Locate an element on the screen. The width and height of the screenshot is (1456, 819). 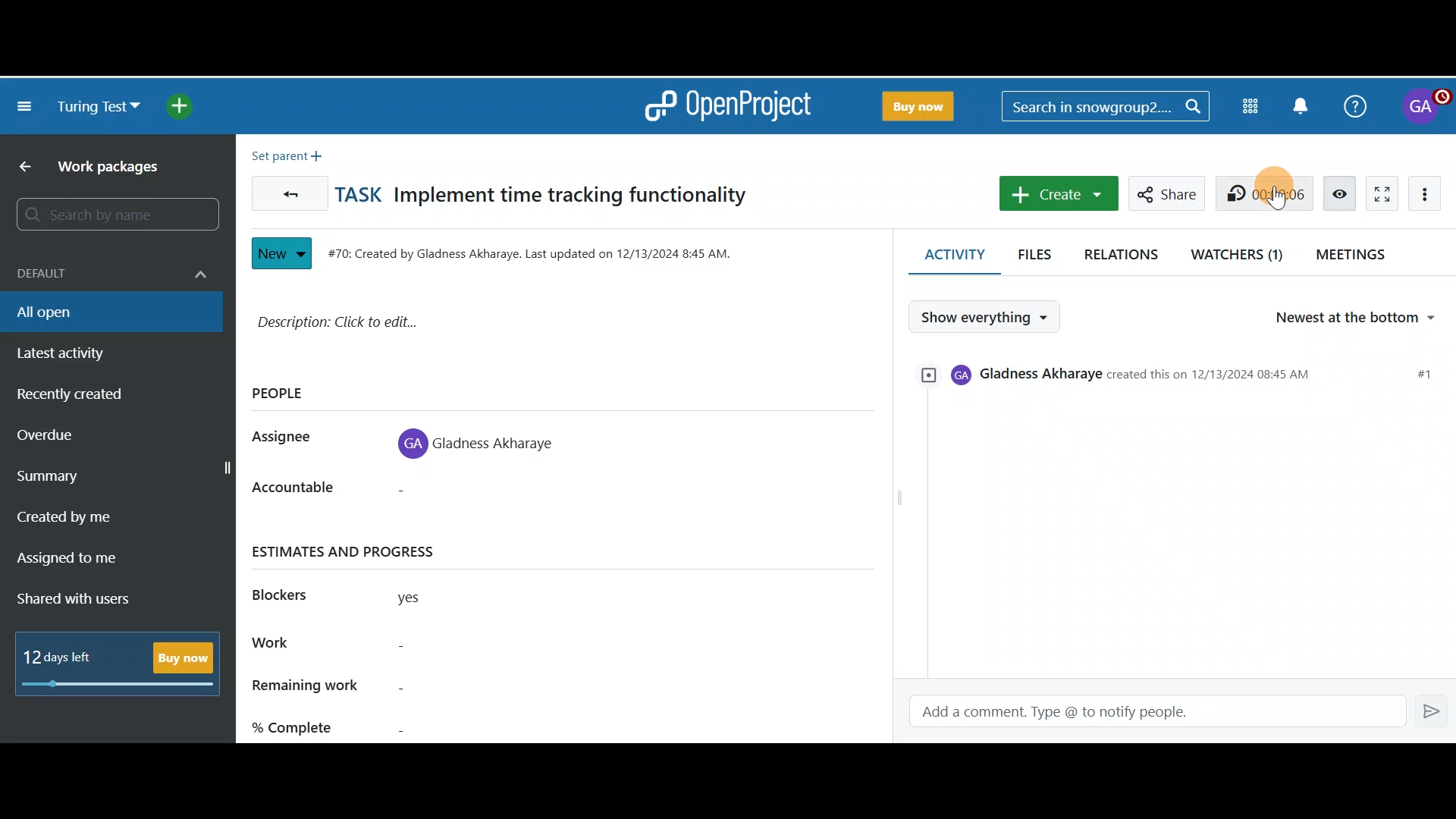
Latest activity is located at coordinates (83, 354).